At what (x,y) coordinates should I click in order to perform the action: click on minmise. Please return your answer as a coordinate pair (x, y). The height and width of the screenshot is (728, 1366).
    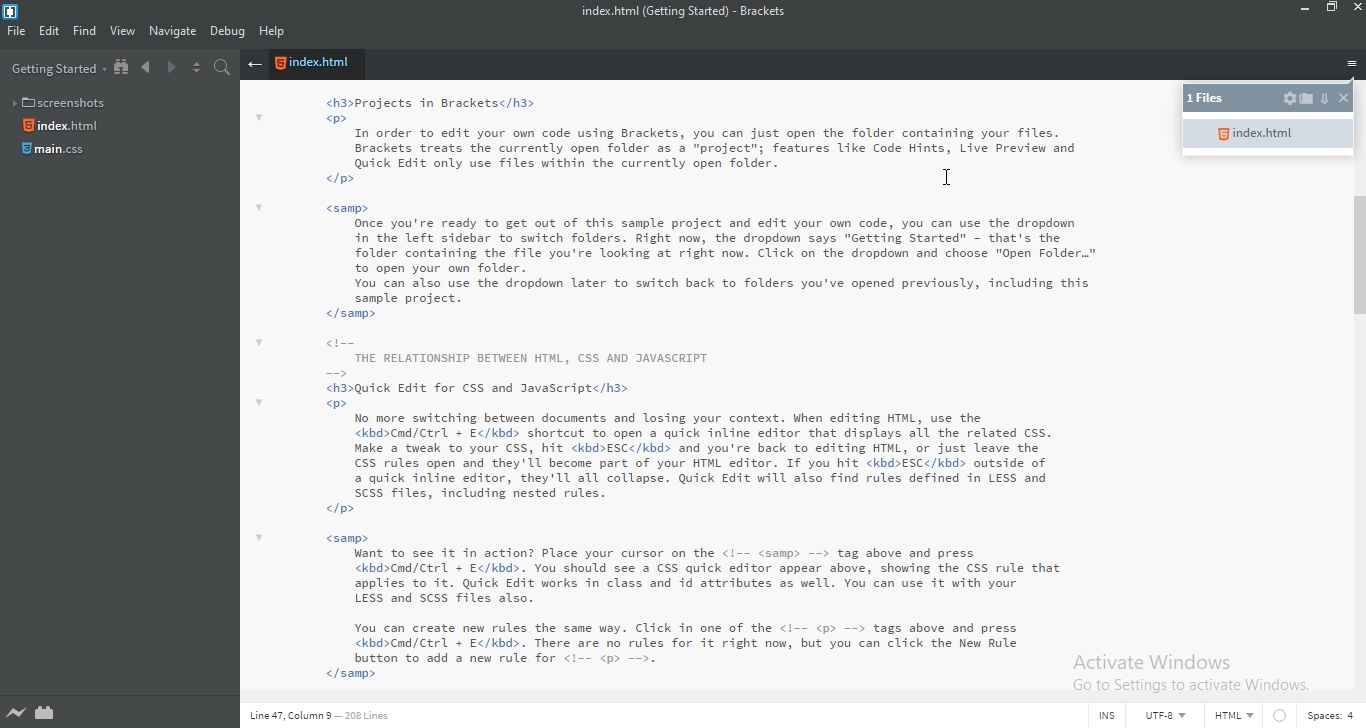
    Looking at the image, I should click on (1301, 10).